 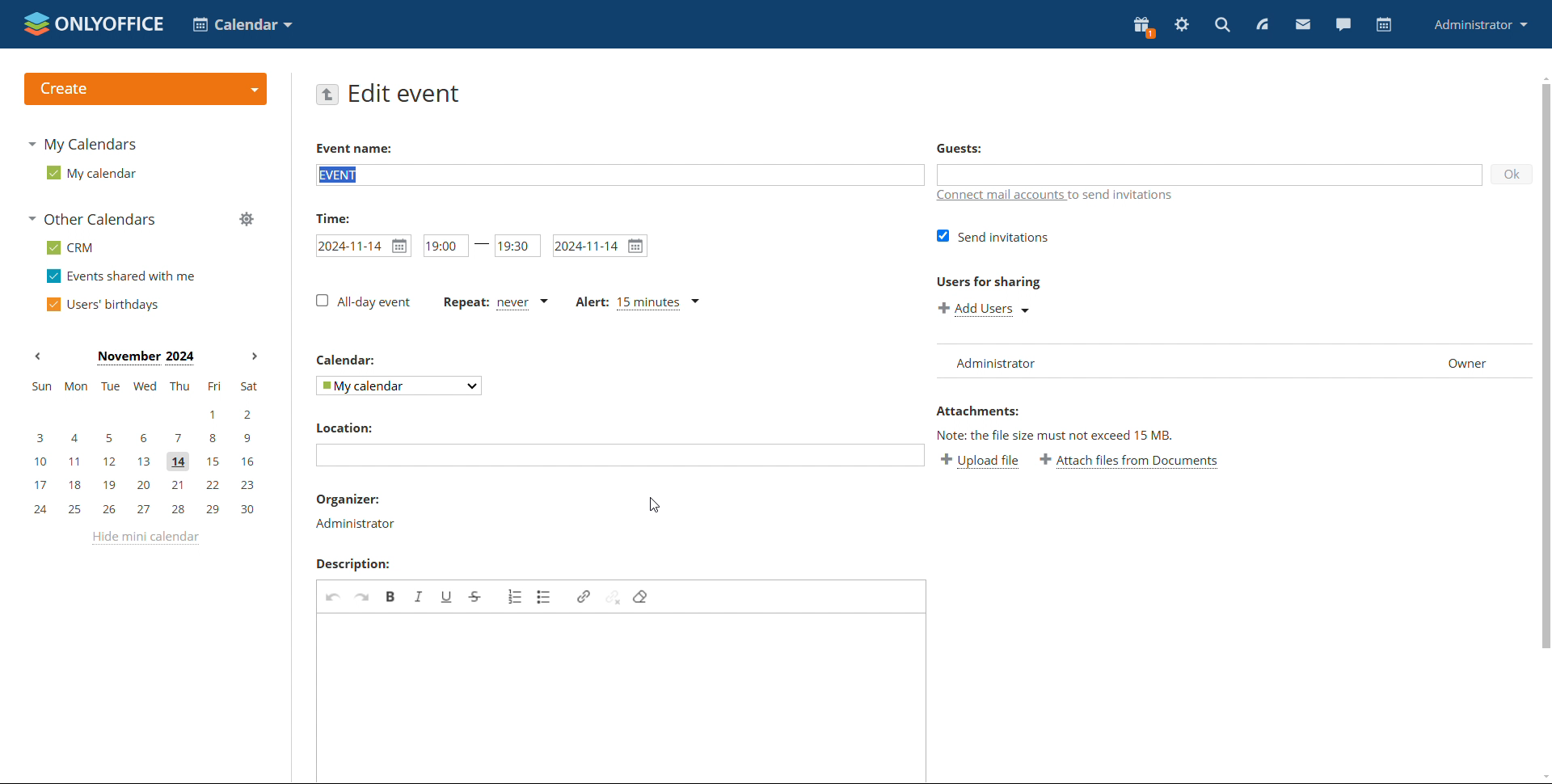 What do you see at coordinates (445, 246) in the screenshot?
I see `start time` at bounding box center [445, 246].